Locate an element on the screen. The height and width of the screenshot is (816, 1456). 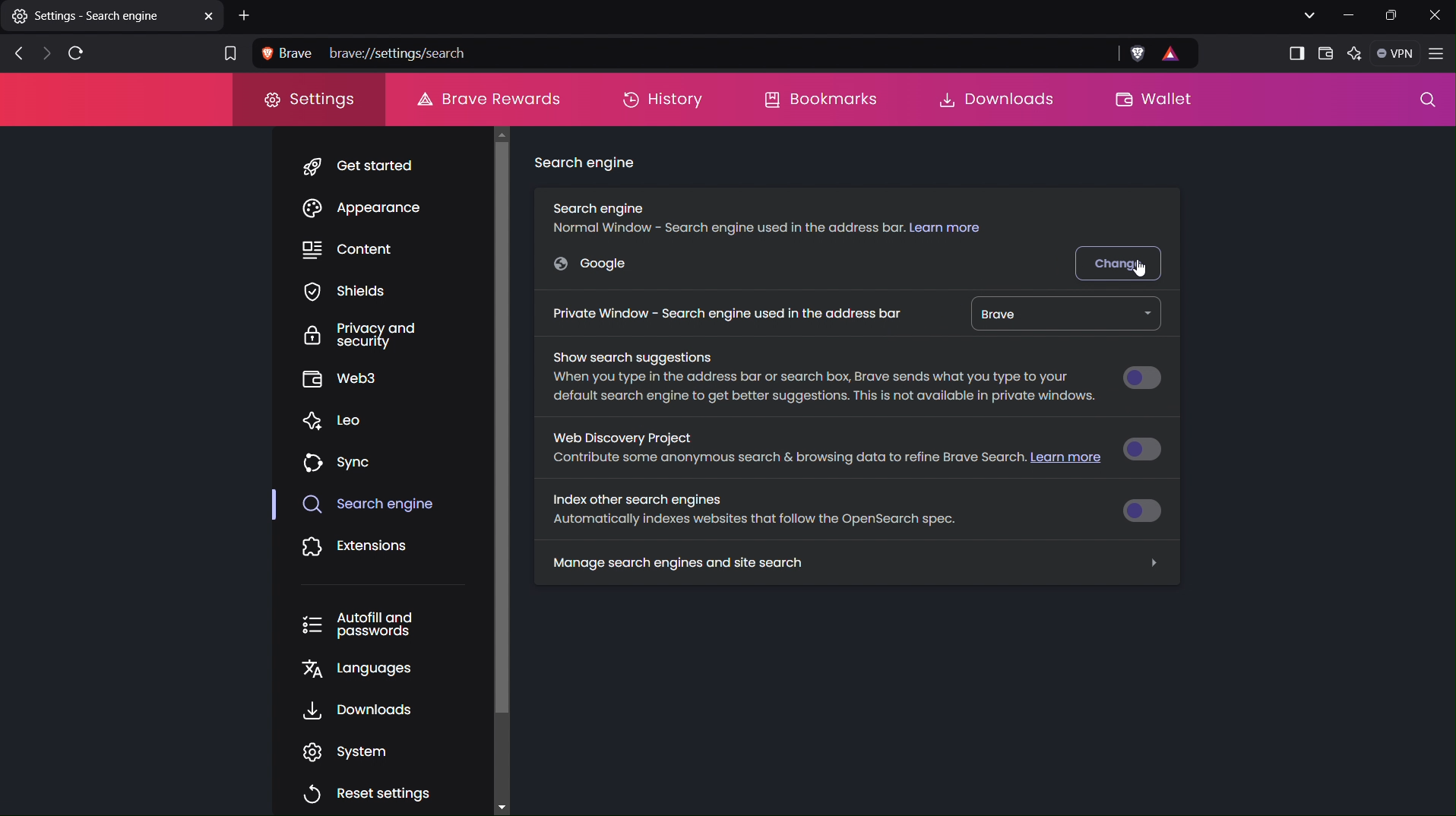
Private Window - Search engine used in address bar is located at coordinates (725, 312).